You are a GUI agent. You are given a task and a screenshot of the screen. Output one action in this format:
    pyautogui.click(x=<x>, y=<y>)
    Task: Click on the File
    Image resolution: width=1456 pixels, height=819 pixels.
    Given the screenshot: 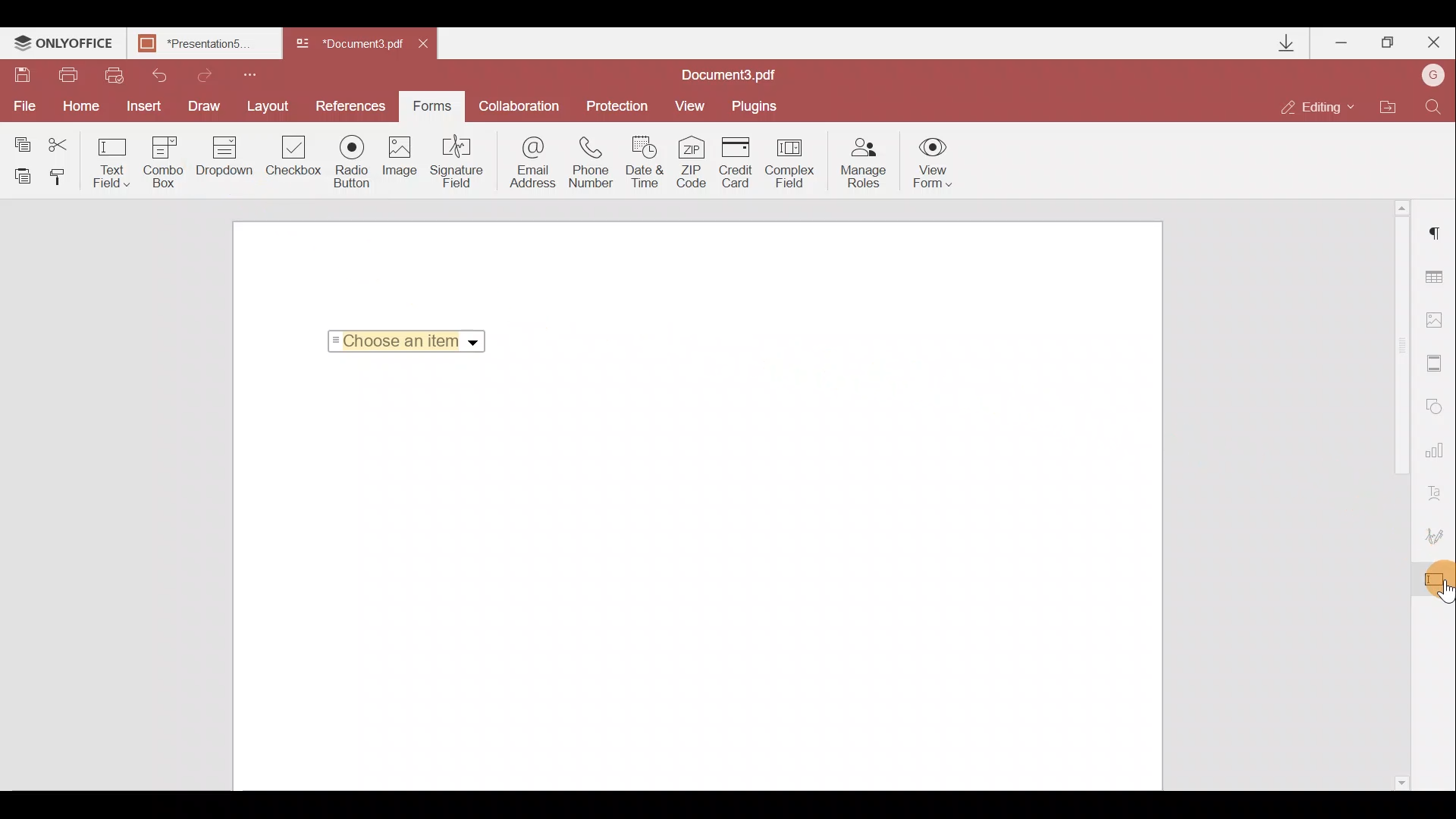 What is the action you would take?
    pyautogui.click(x=26, y=108)
    